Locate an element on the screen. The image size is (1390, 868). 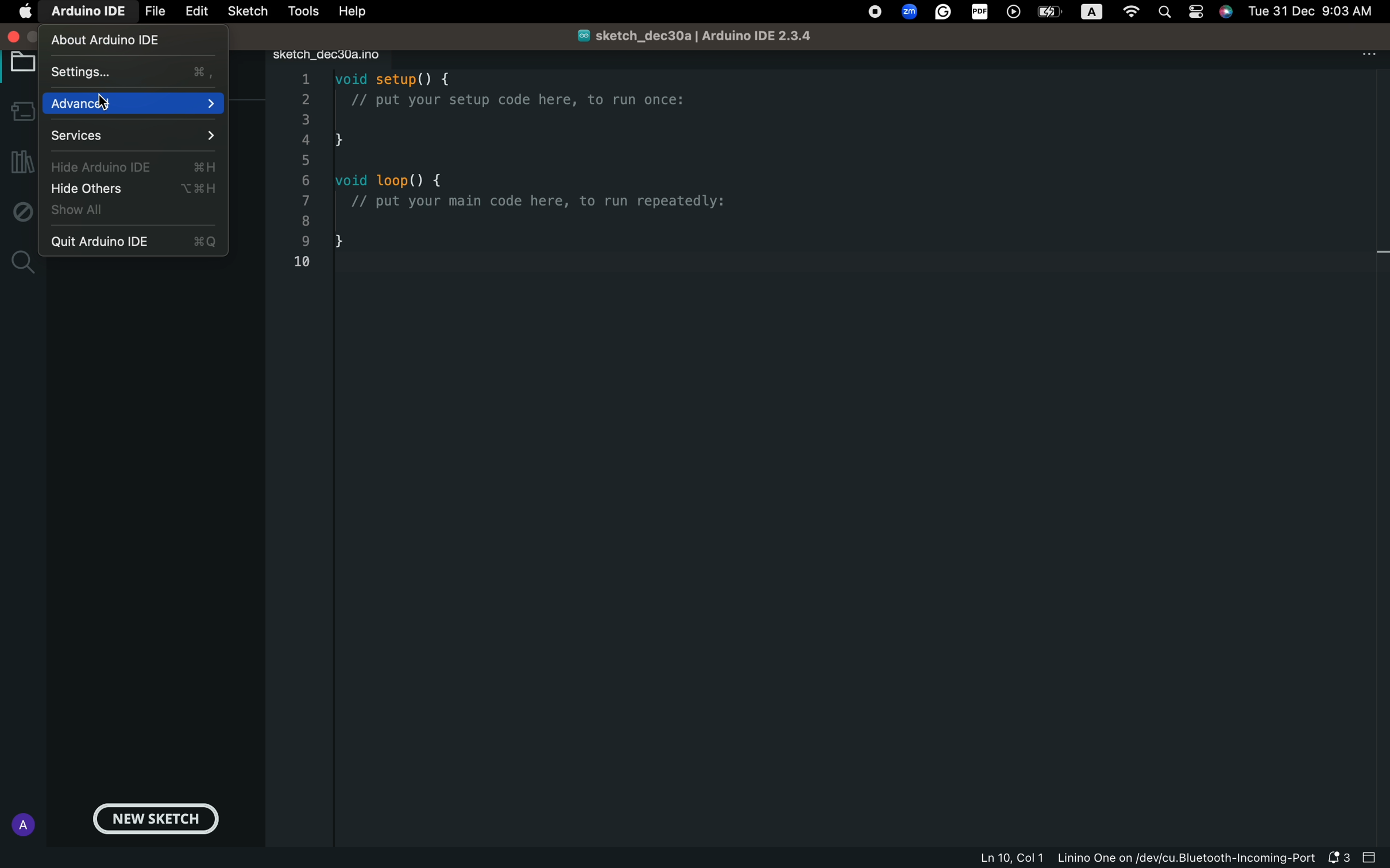
notification is located at coordinates (1337, 858).